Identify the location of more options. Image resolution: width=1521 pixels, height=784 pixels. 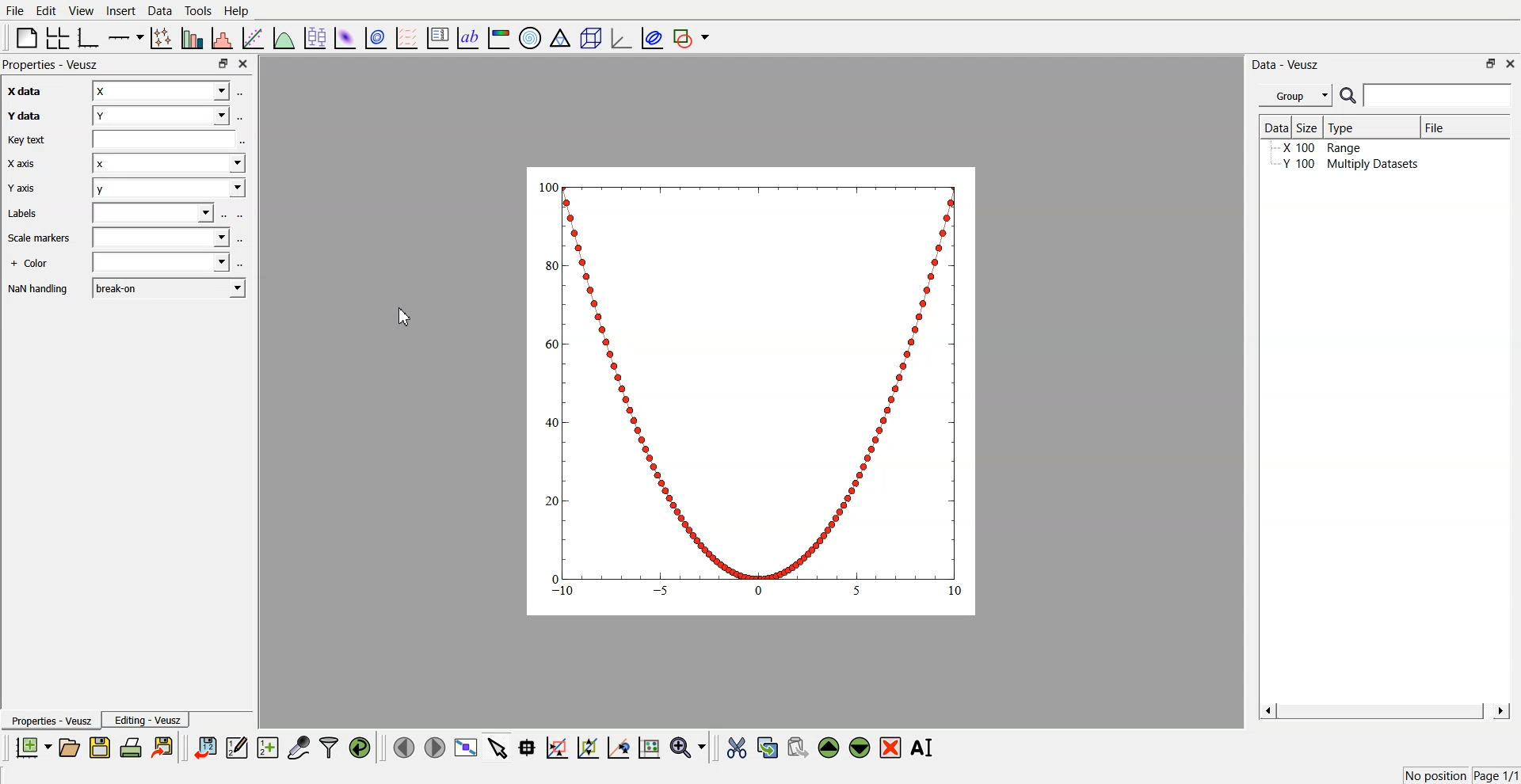
(242, 92).